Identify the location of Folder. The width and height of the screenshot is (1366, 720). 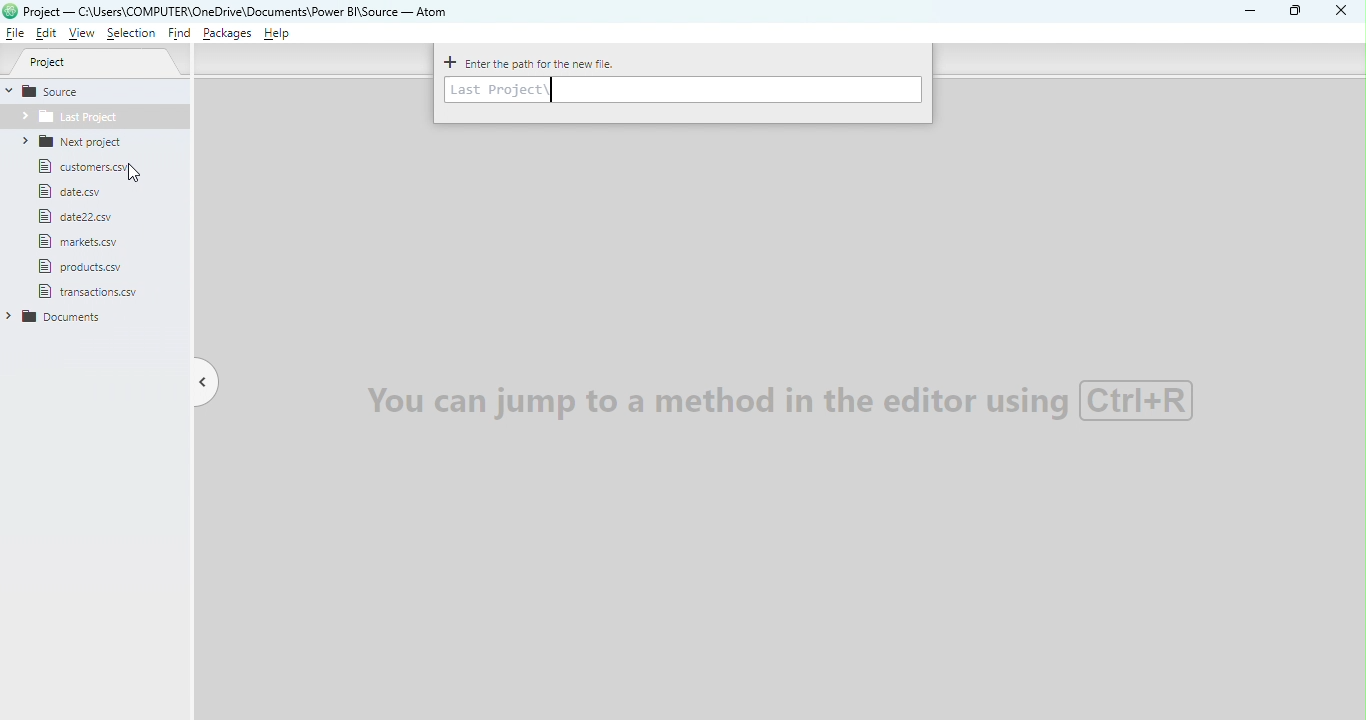
(81, 142).